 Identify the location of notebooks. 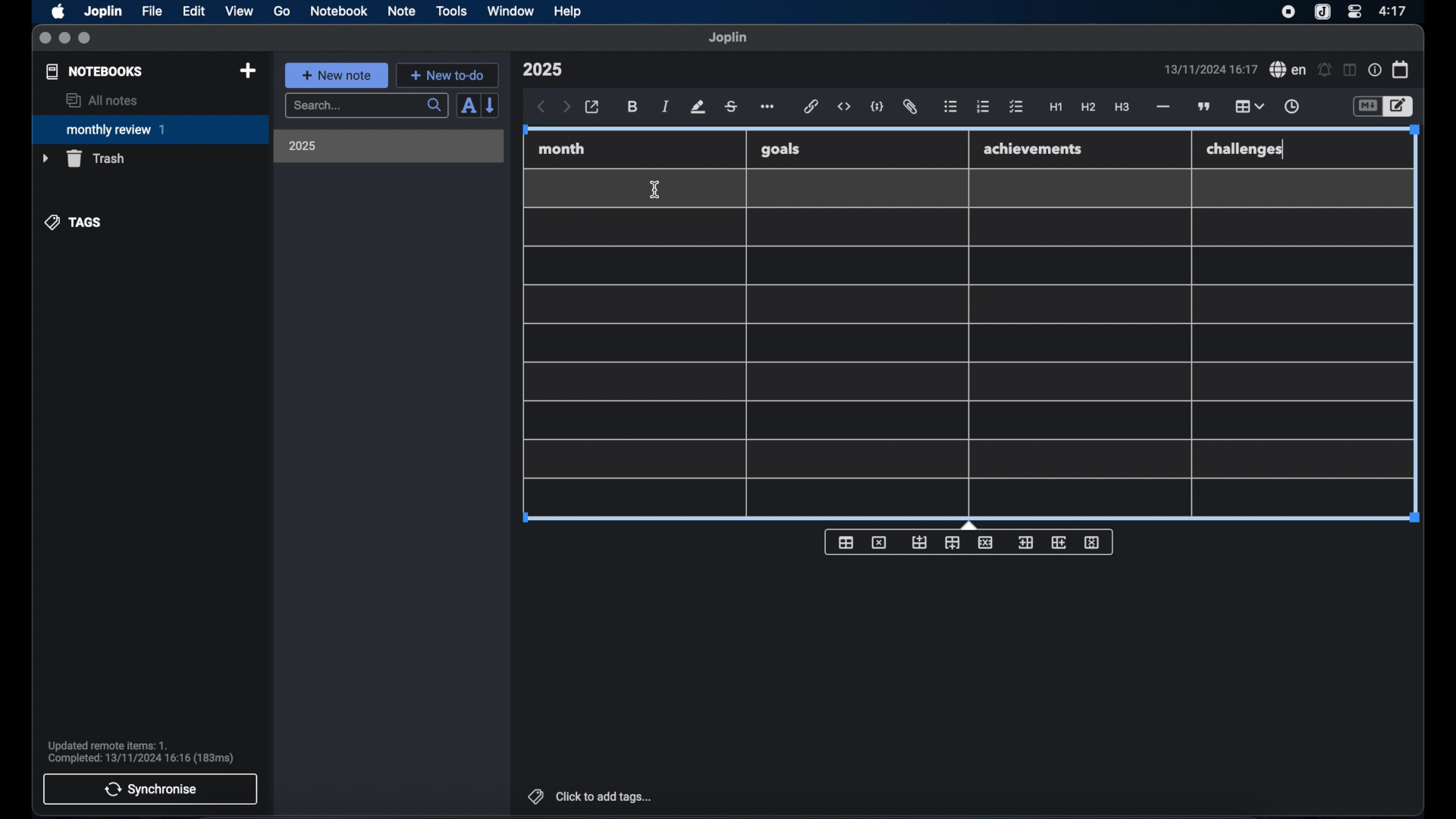
(95, 71).